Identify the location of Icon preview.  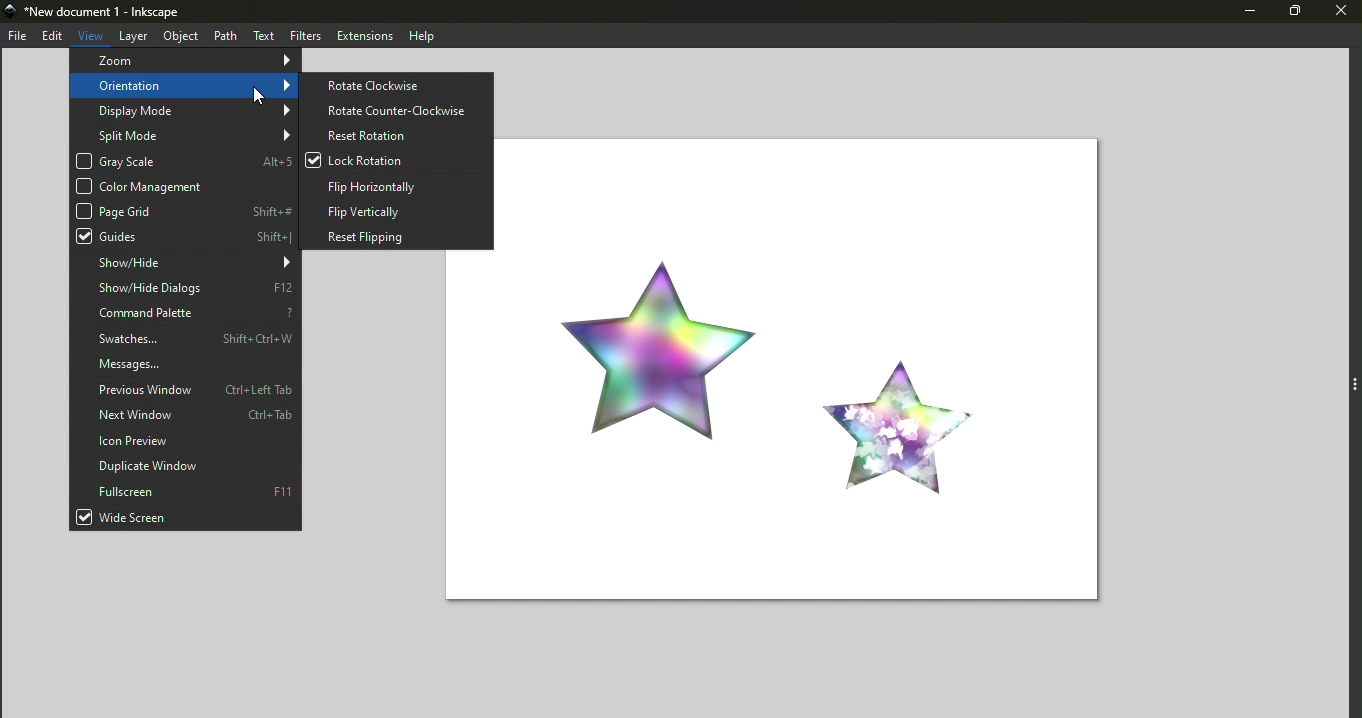
(186, 441).